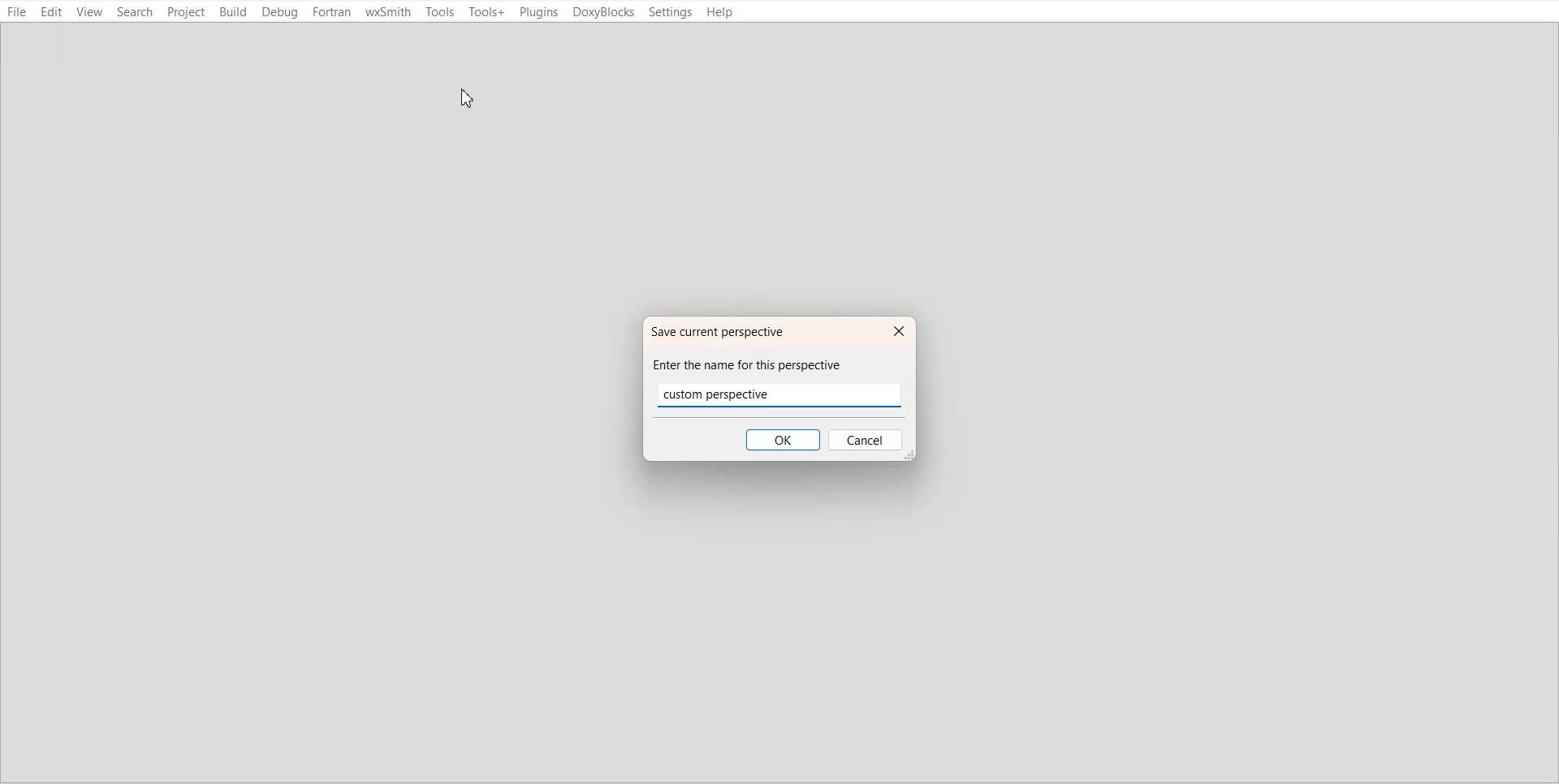  I want to click on Custom perspective, so click(729, 391).